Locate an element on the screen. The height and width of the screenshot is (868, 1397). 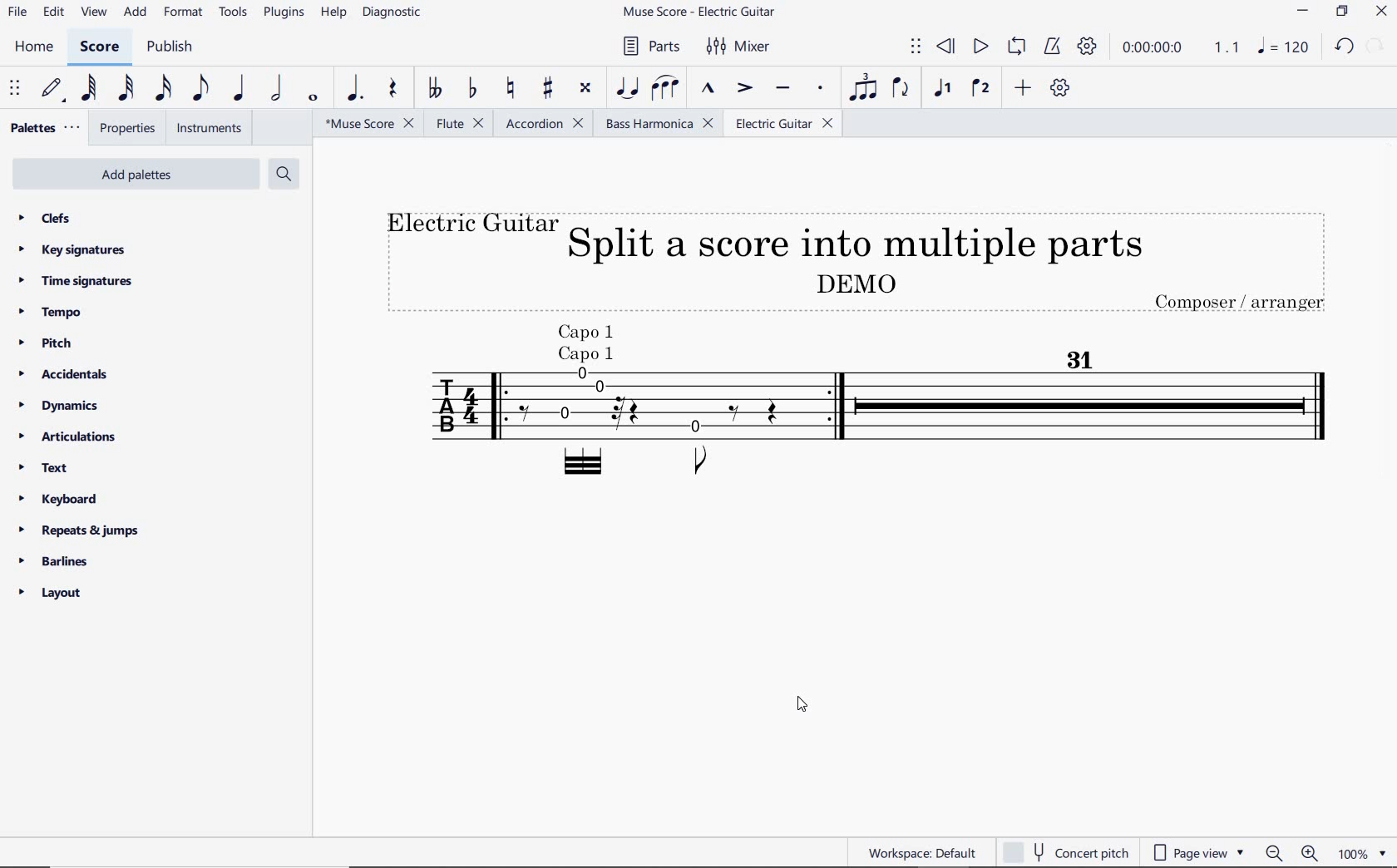
diagnostic is located at coordinates (391, 13).